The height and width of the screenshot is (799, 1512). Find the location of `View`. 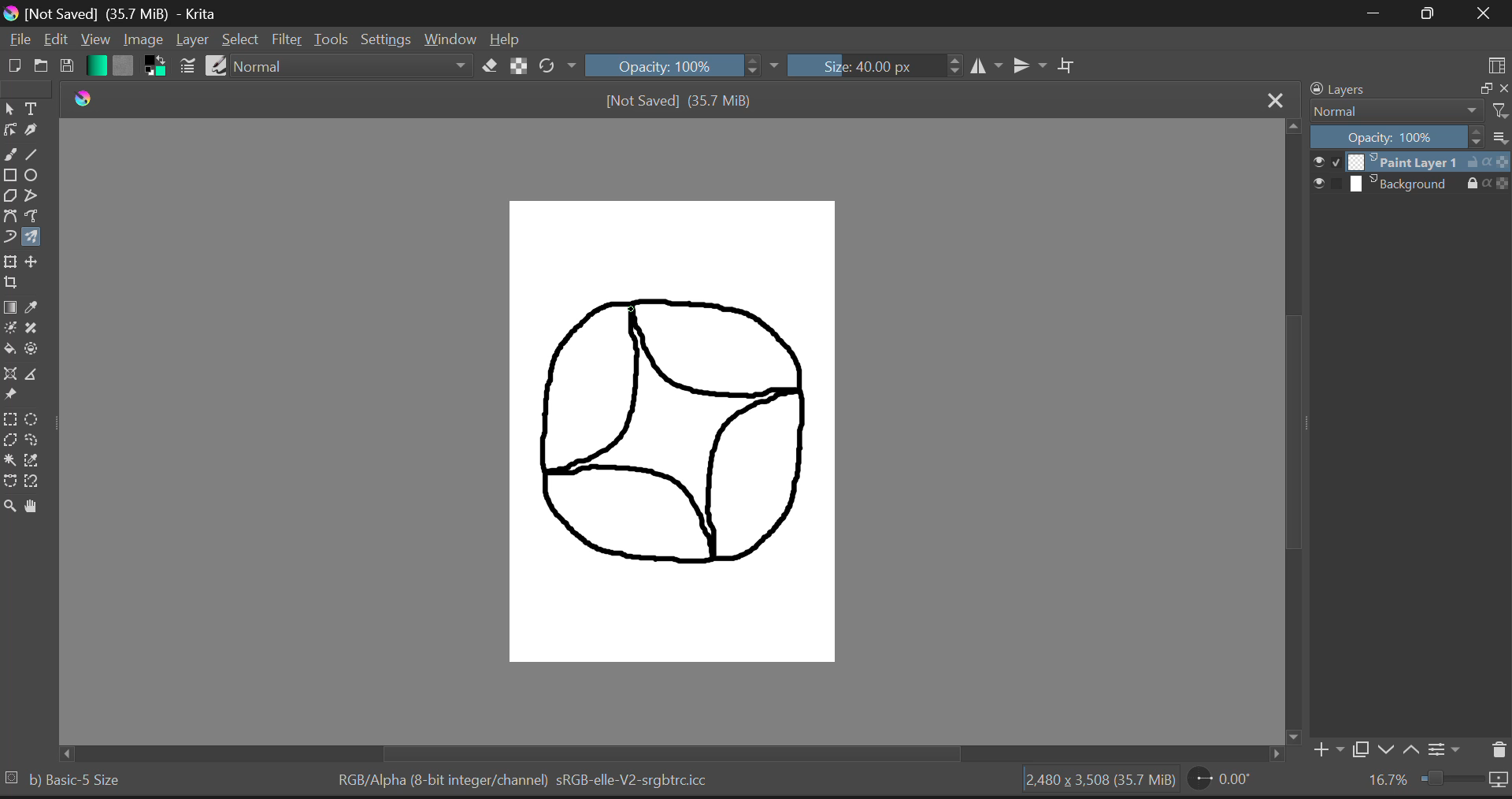

View is located at coordinates (94, 39).